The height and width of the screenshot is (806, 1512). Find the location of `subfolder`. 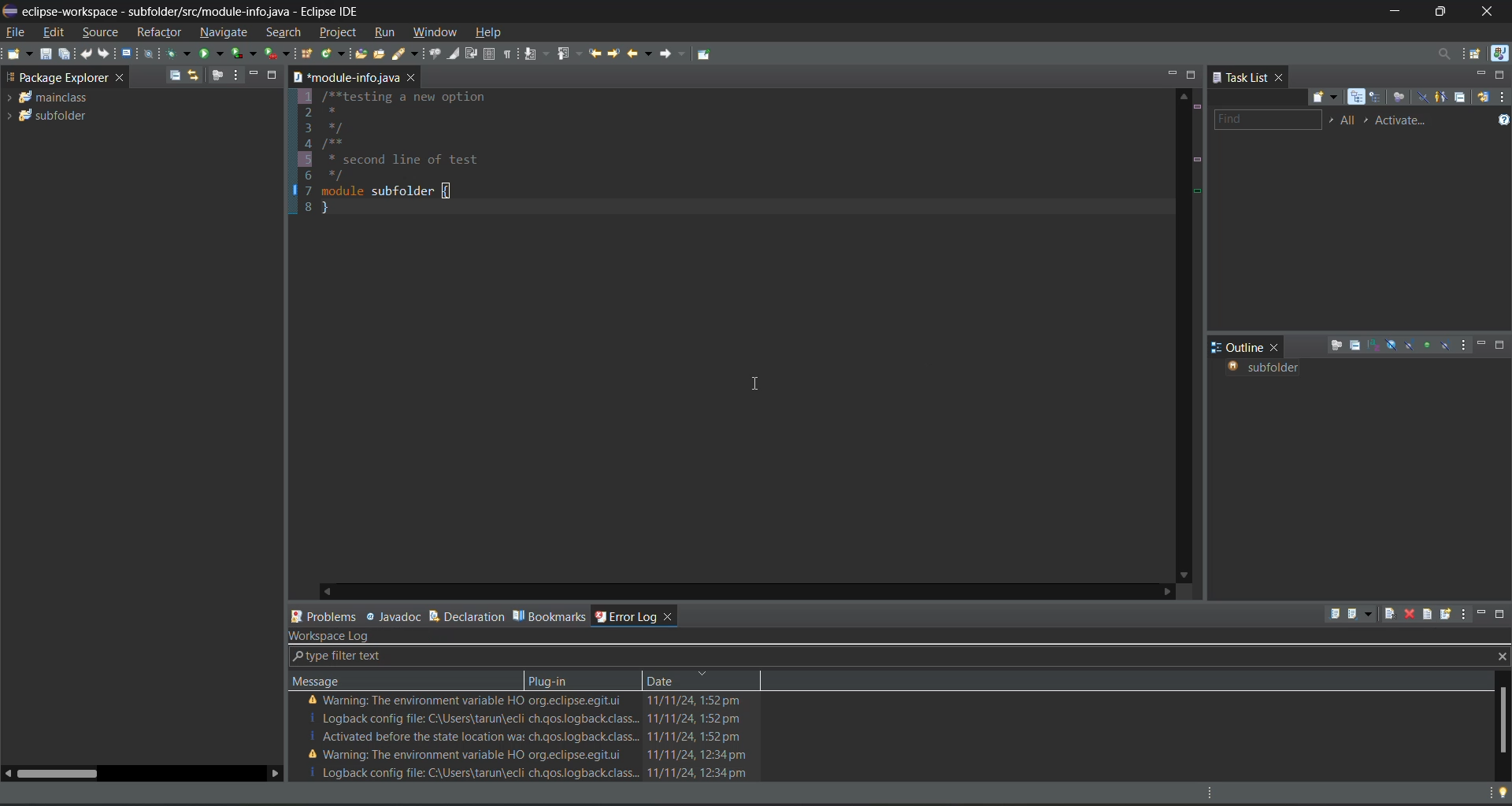

subfolder is located at coordinates (1269, 368).